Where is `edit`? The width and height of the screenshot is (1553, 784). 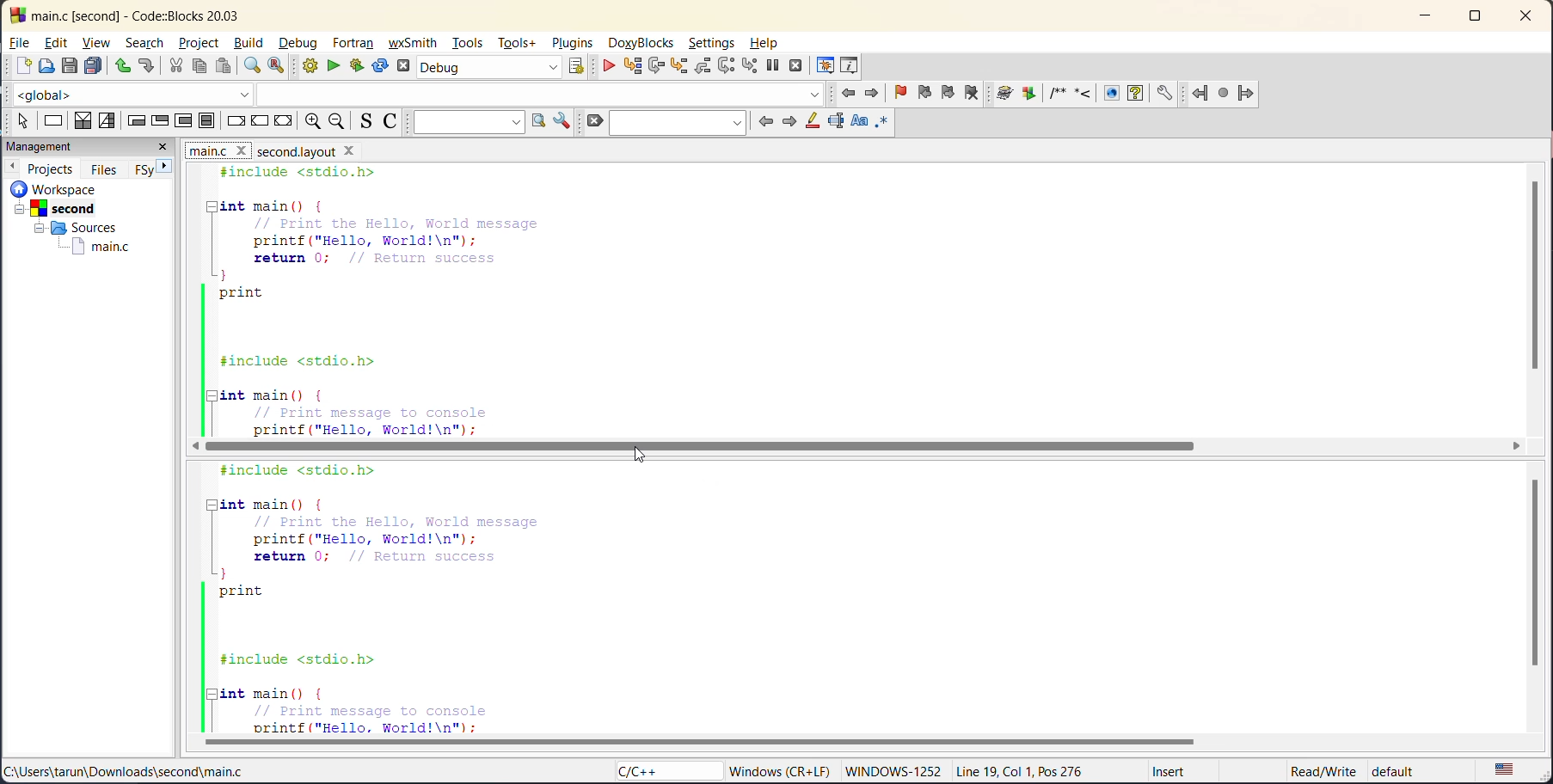
edit is located at coordinates (60, 41).